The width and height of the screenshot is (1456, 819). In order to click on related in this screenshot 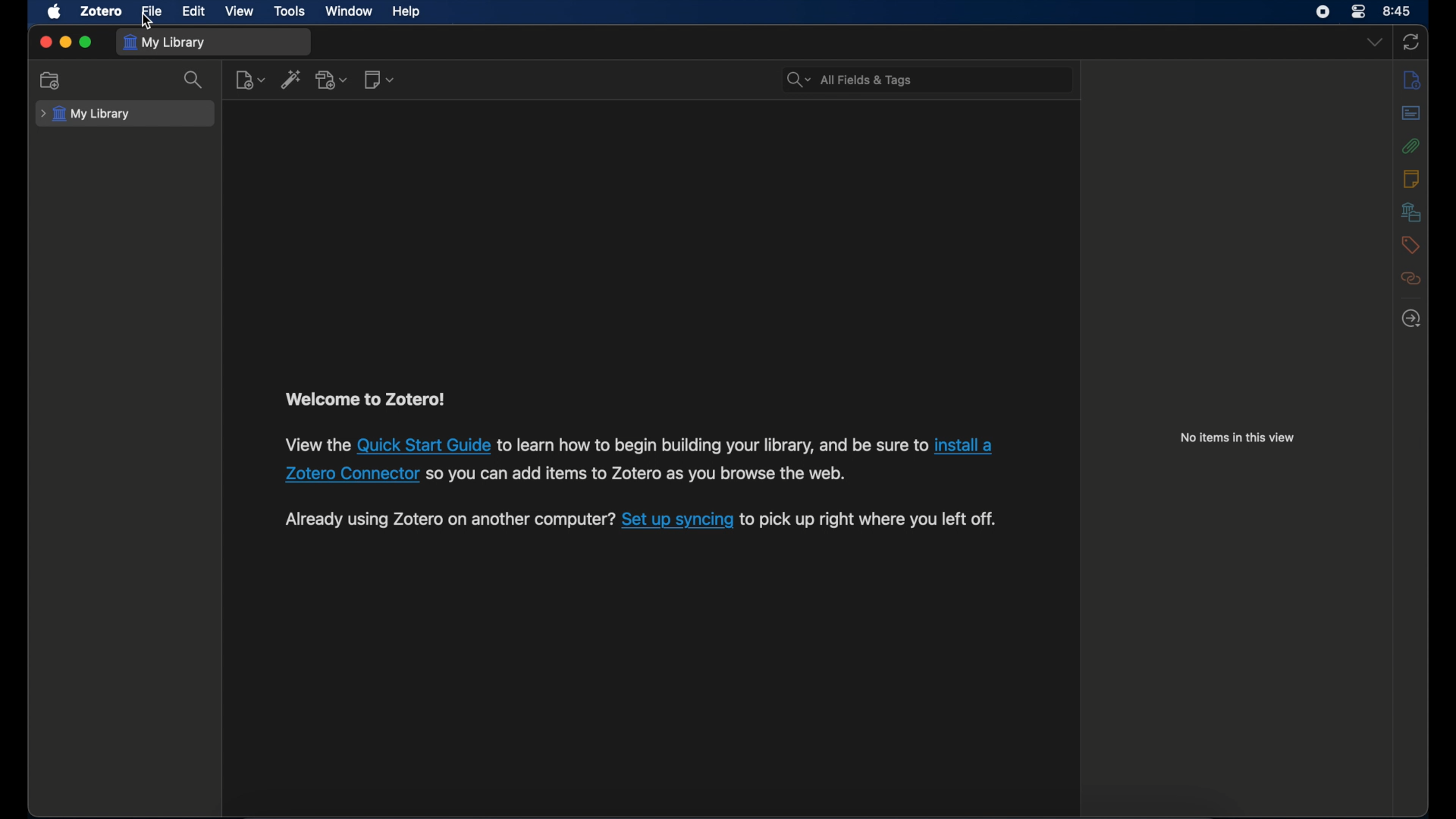, I will do `click(1410, 279)`.